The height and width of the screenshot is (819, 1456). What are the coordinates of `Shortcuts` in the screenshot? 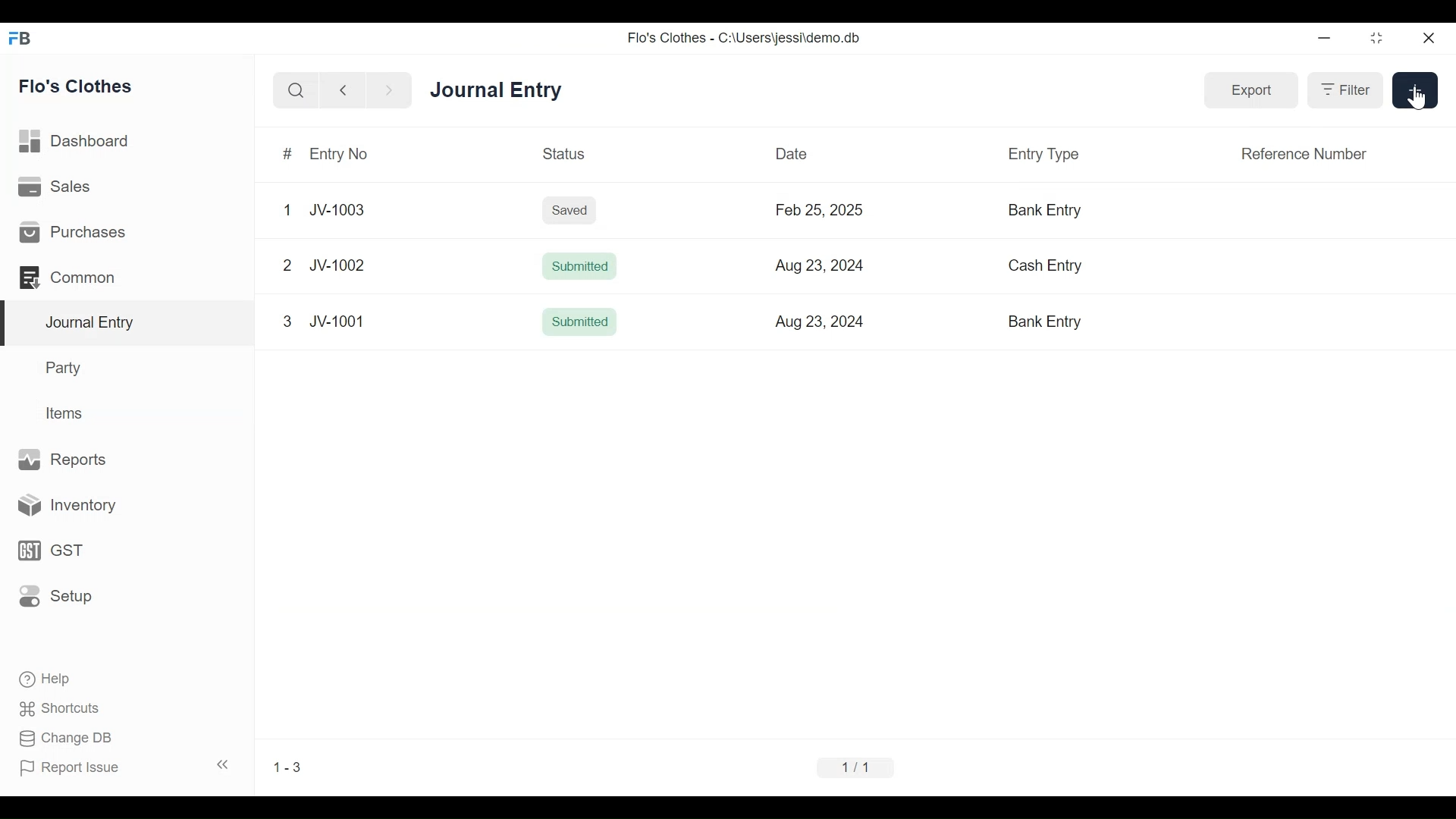 It's located at (68, 706).